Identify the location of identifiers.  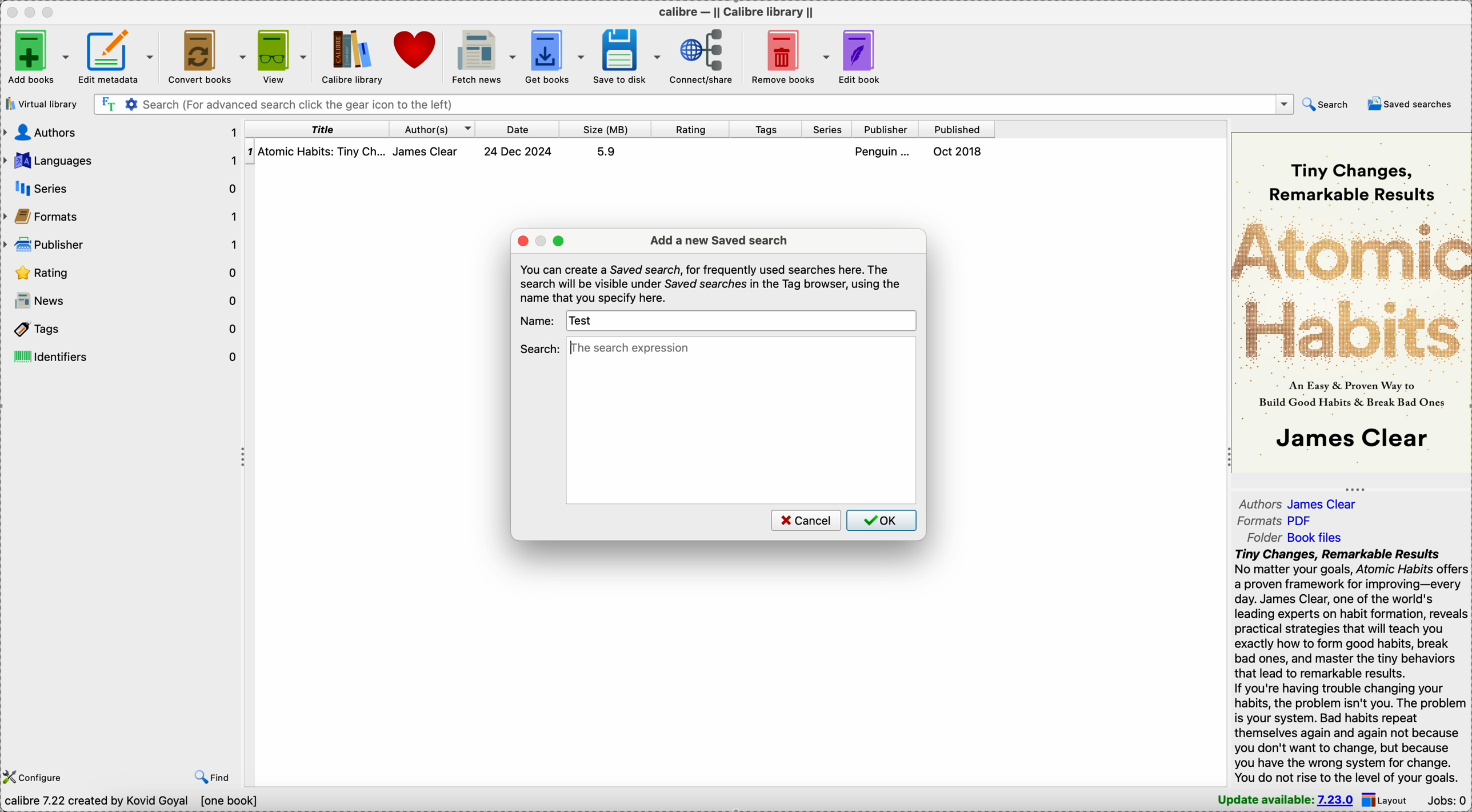
(123, 356).